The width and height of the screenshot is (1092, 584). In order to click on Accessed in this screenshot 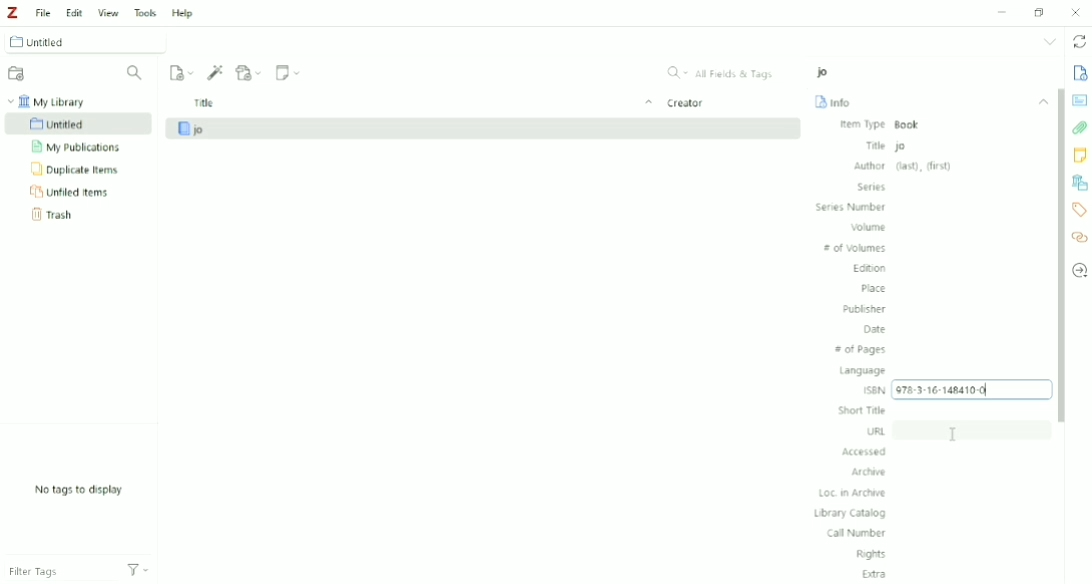, I will do `click(864, 452)`.